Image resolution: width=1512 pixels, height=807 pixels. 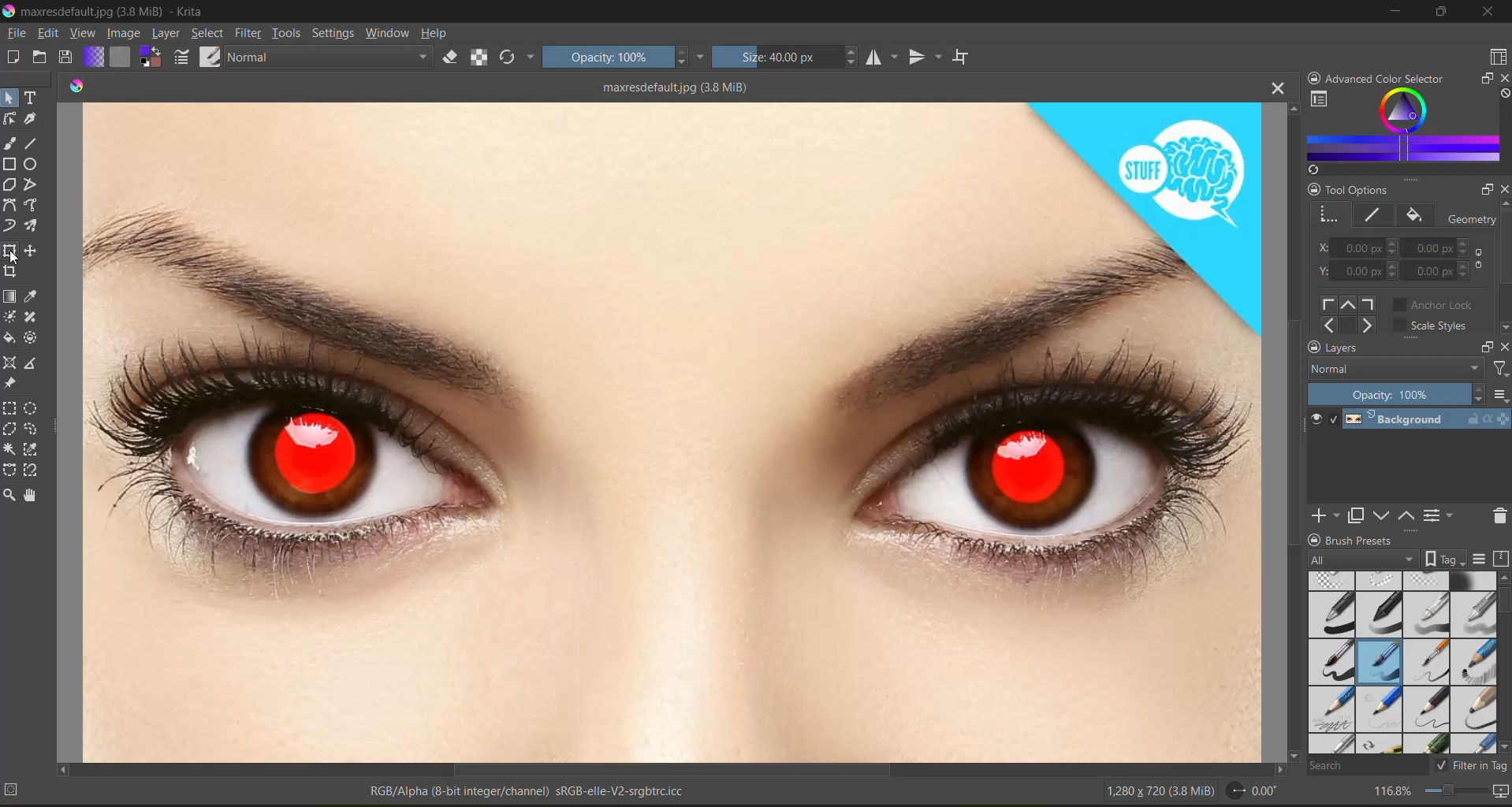 I want to click on layer, so click(x=1429, y=420).